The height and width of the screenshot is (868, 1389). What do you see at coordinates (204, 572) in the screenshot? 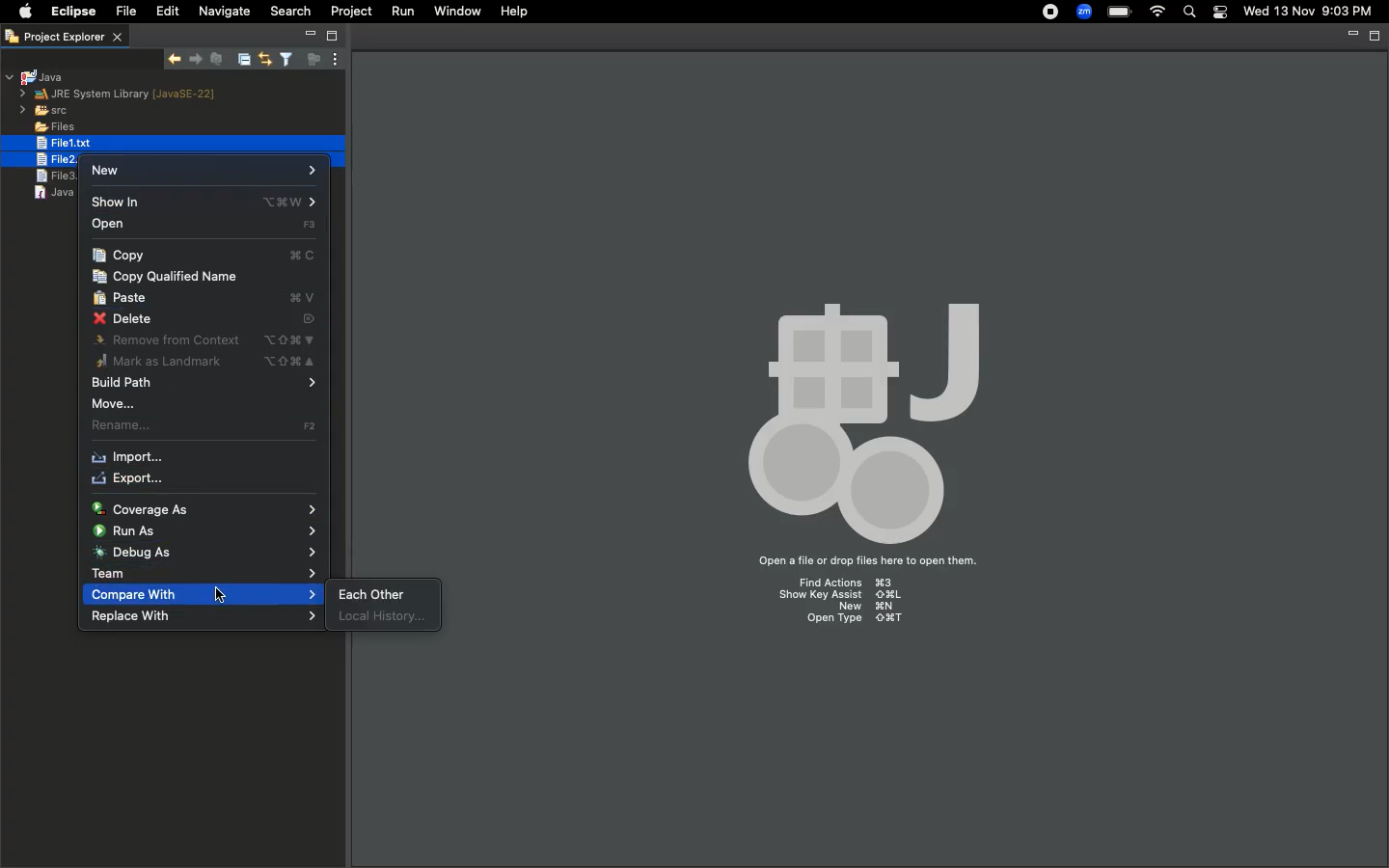
I see `Team` at bounding box center [204, 572].